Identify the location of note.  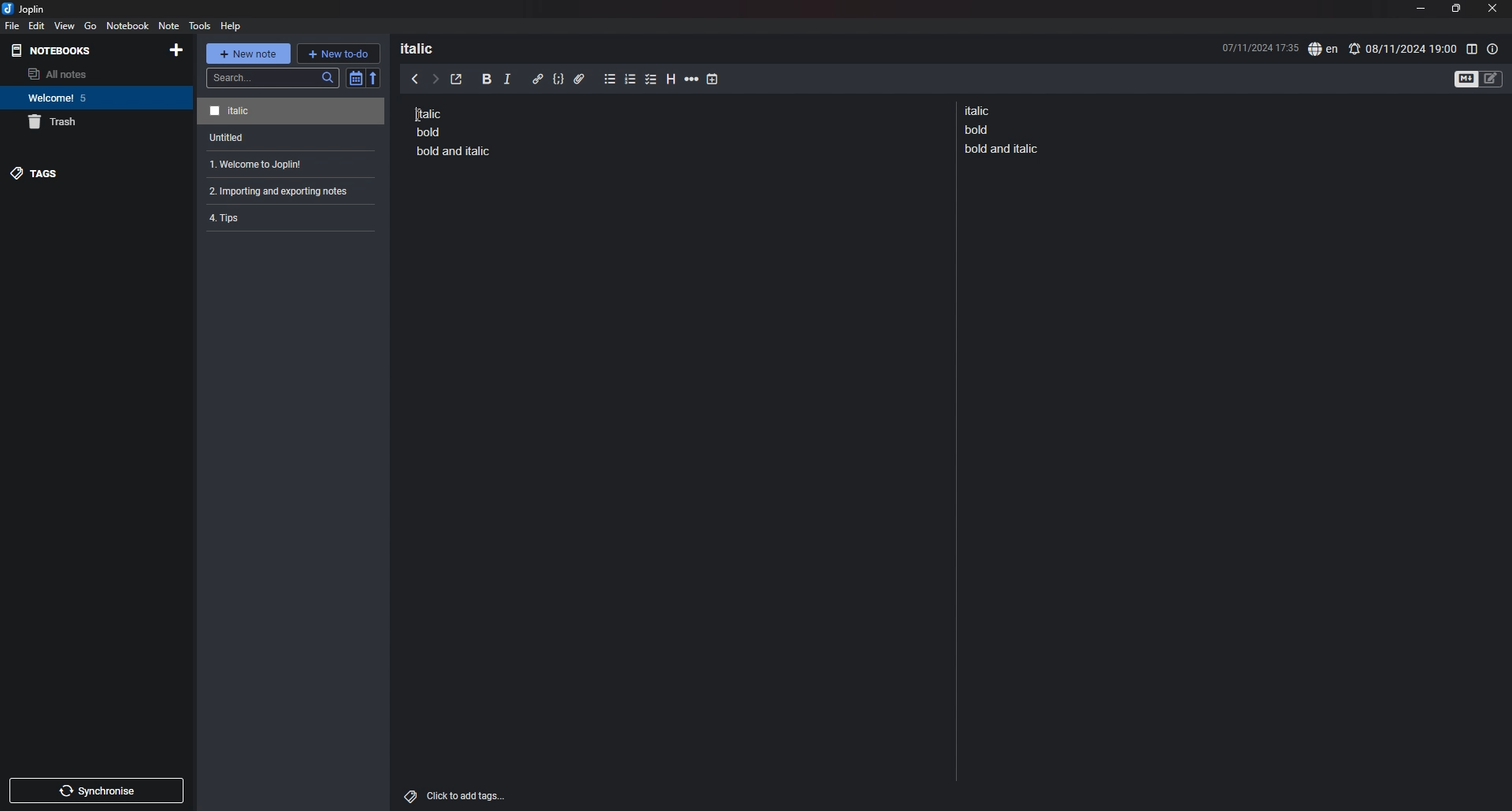
(287, 165).